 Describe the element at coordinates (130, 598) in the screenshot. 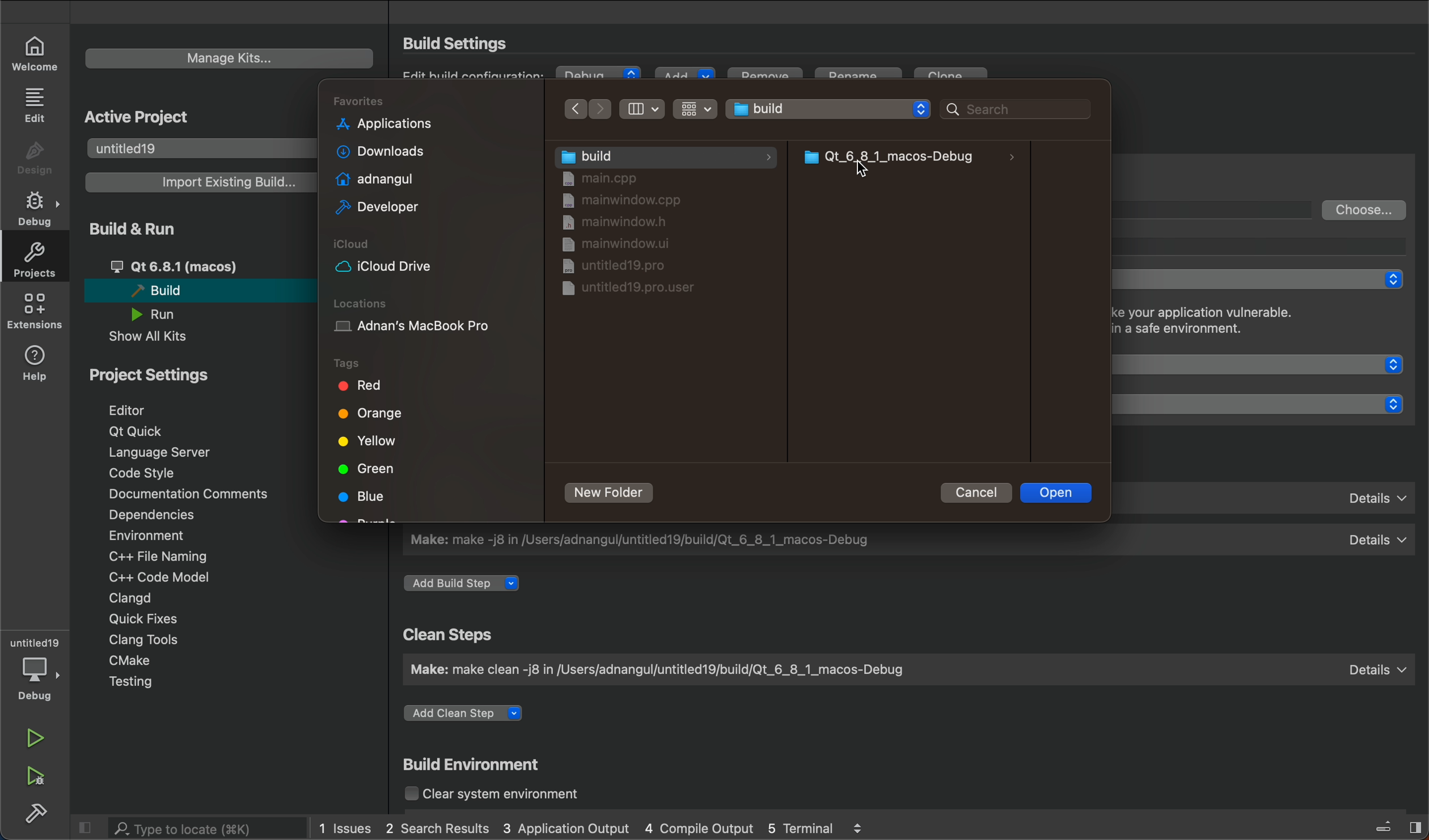

I see `clangd` at that location.